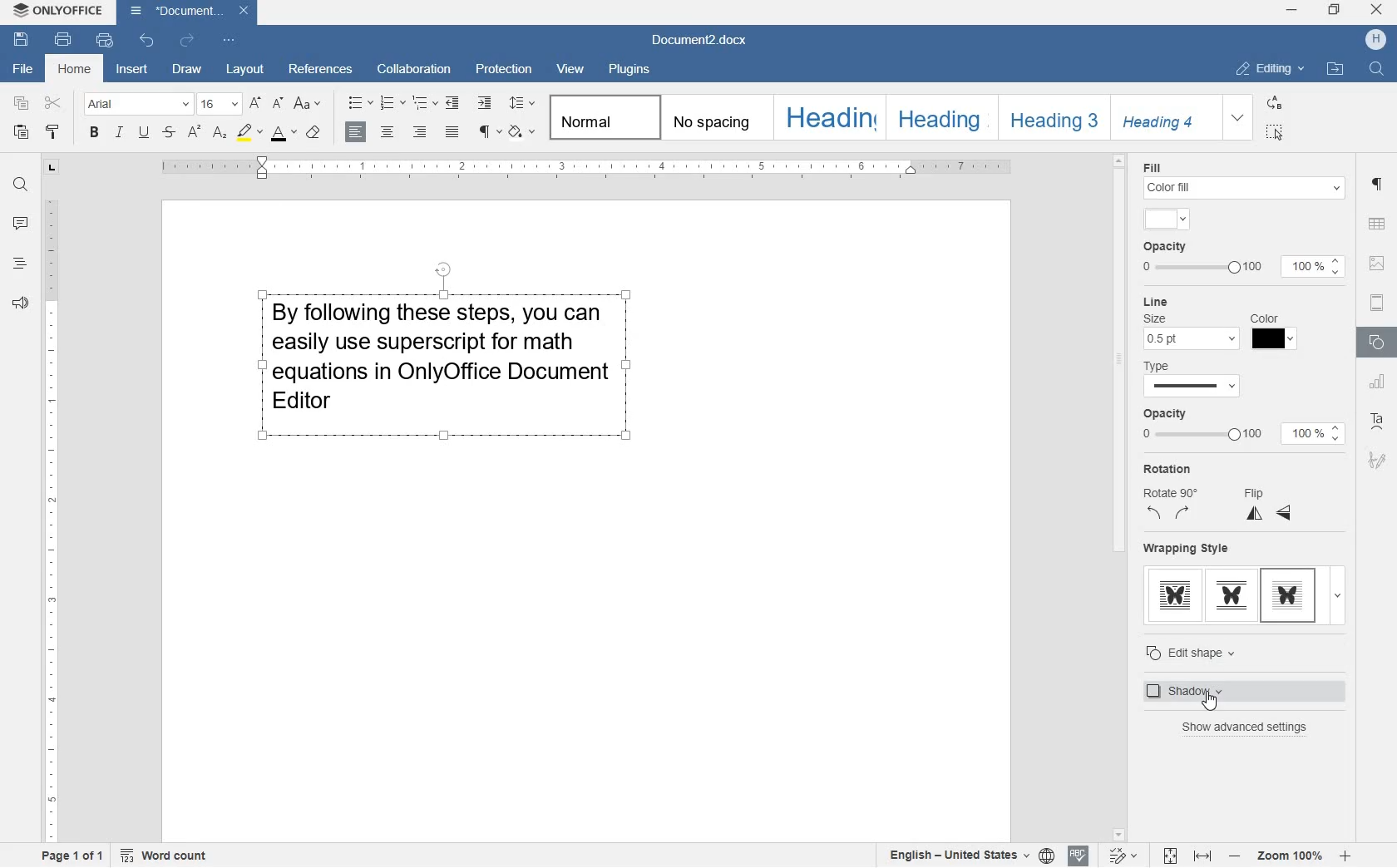 This screenshot has height=868, width=1397. I want to click on HEADING 3, so click(1050, 117).